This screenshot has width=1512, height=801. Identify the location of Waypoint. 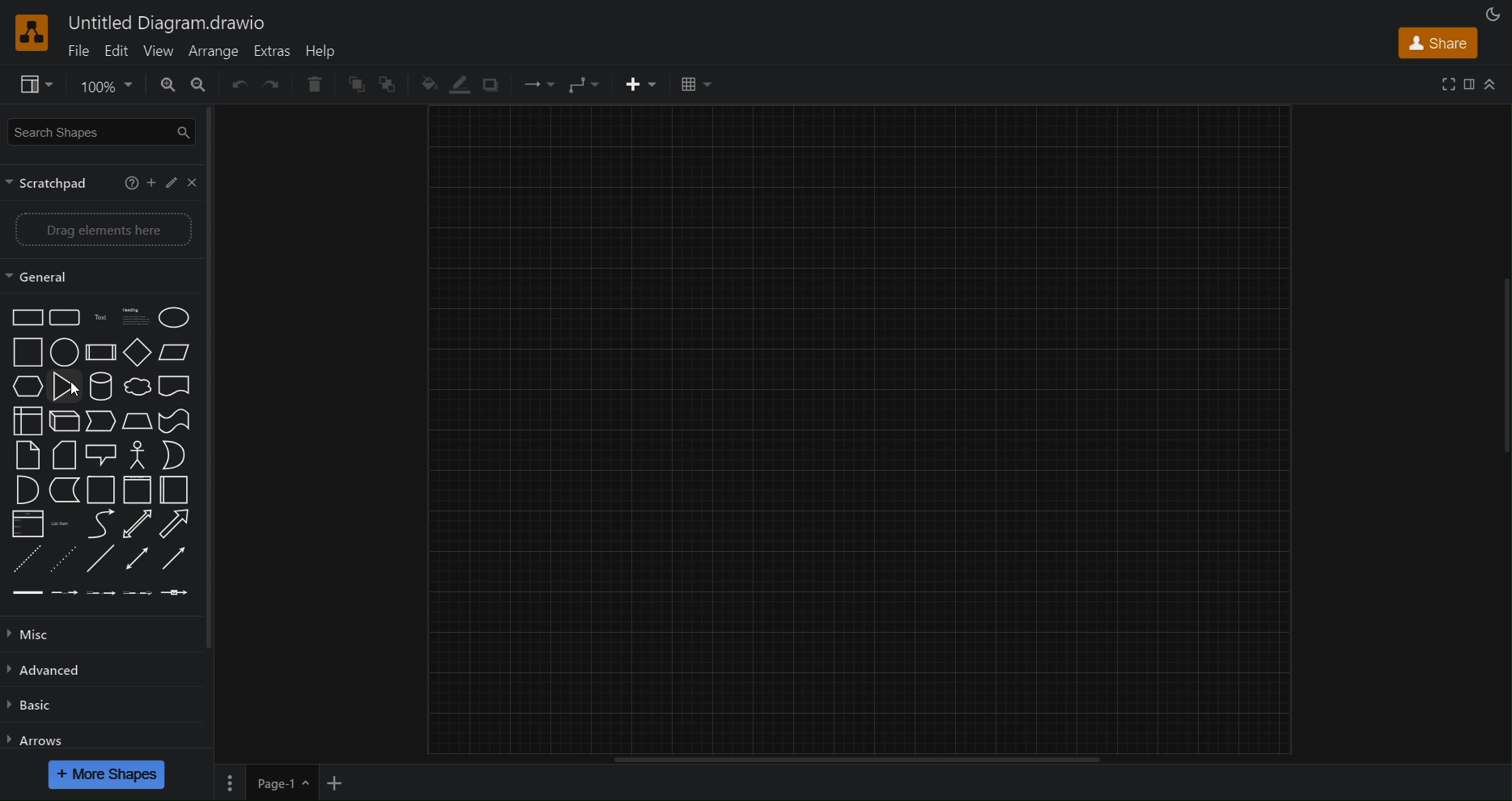
(585, 86).